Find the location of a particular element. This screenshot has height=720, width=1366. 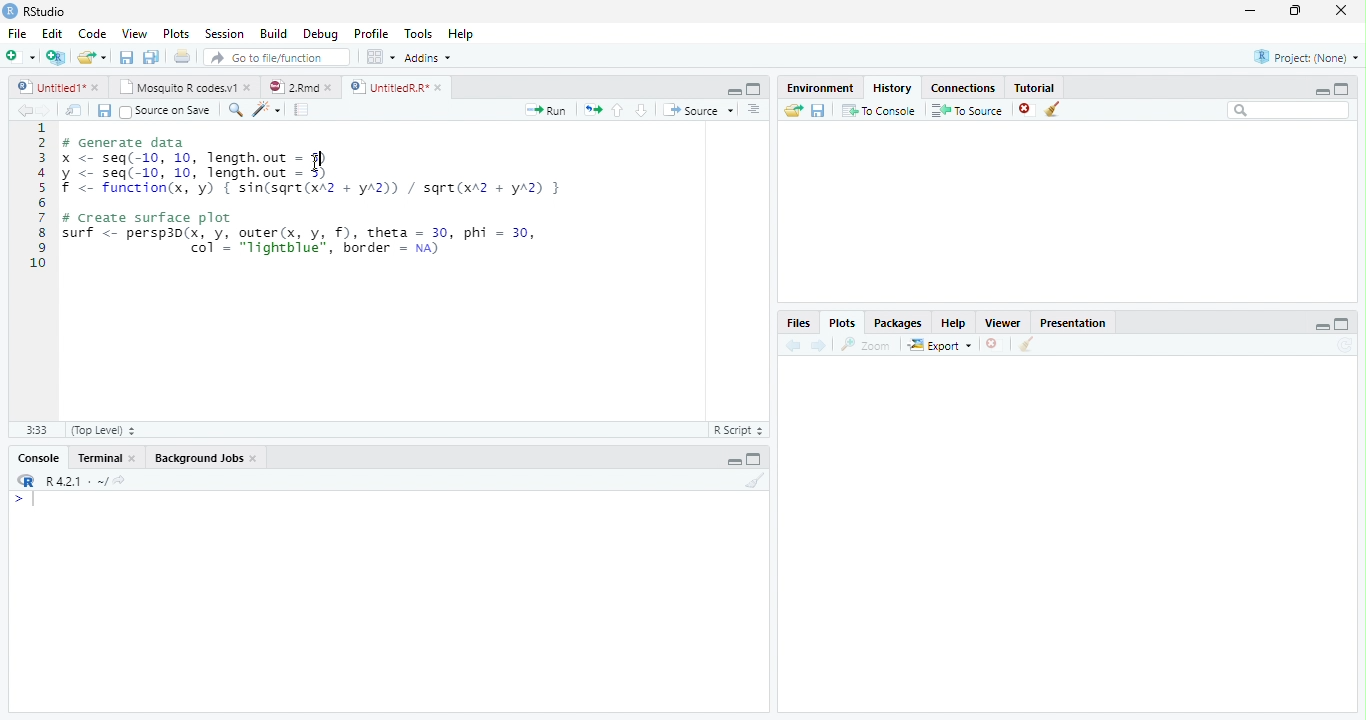

New line is located at coordinates (24, 502).